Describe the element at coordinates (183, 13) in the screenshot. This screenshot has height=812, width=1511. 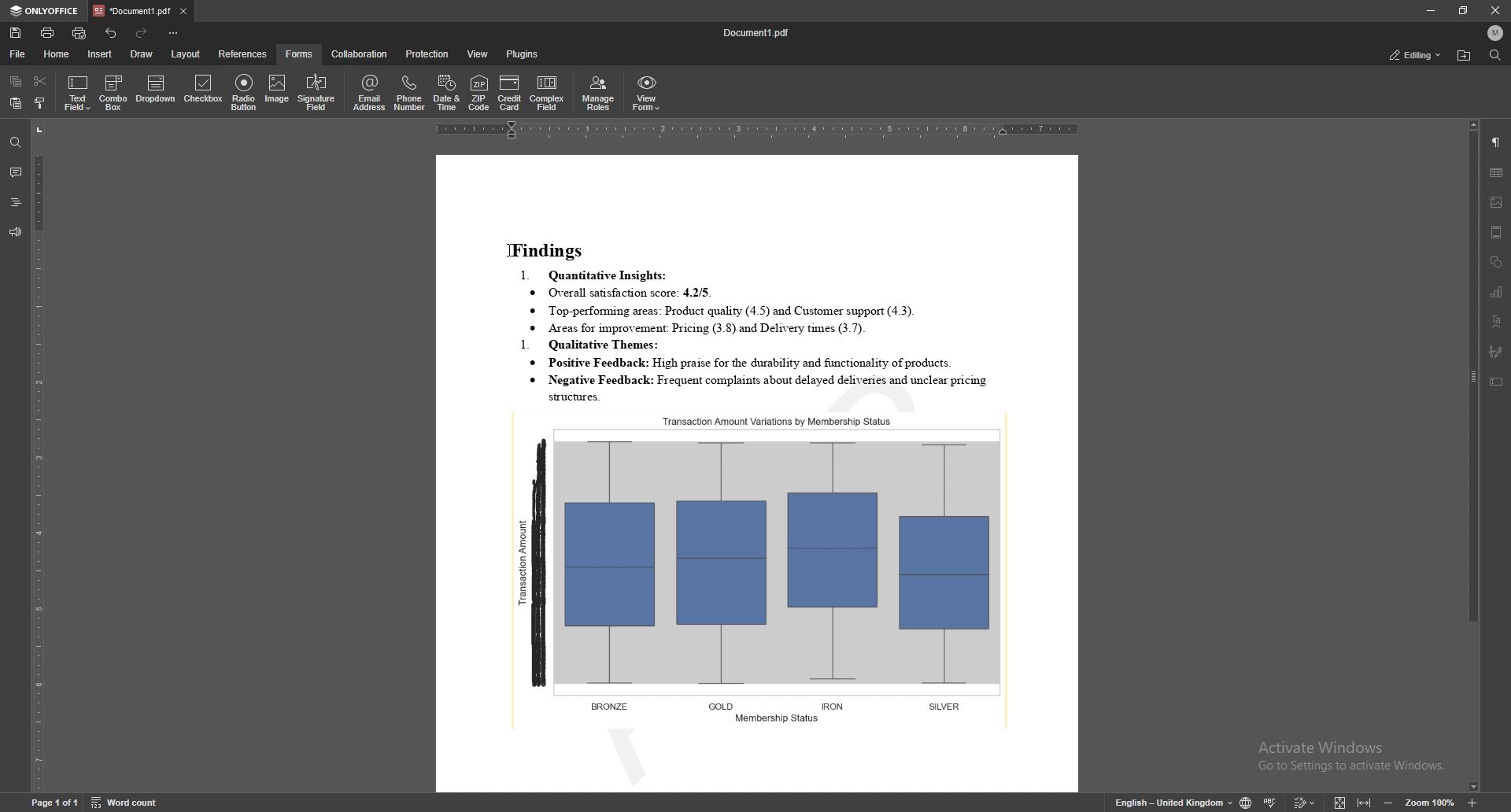
I see `close tab` at that location.